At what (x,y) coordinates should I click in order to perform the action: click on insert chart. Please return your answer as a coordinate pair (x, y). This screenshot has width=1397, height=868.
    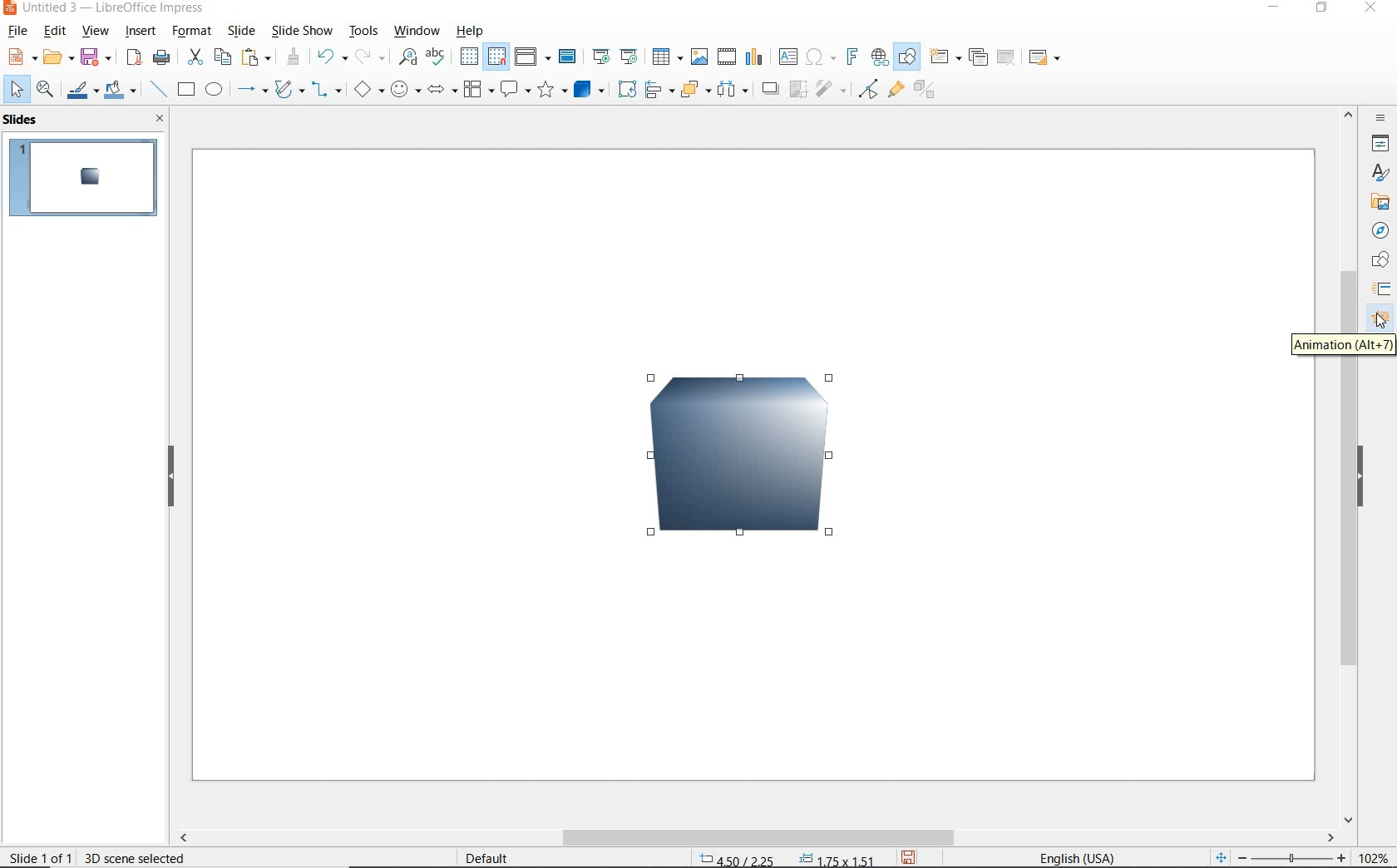
    Looking at the image, I should click on (755, 58).